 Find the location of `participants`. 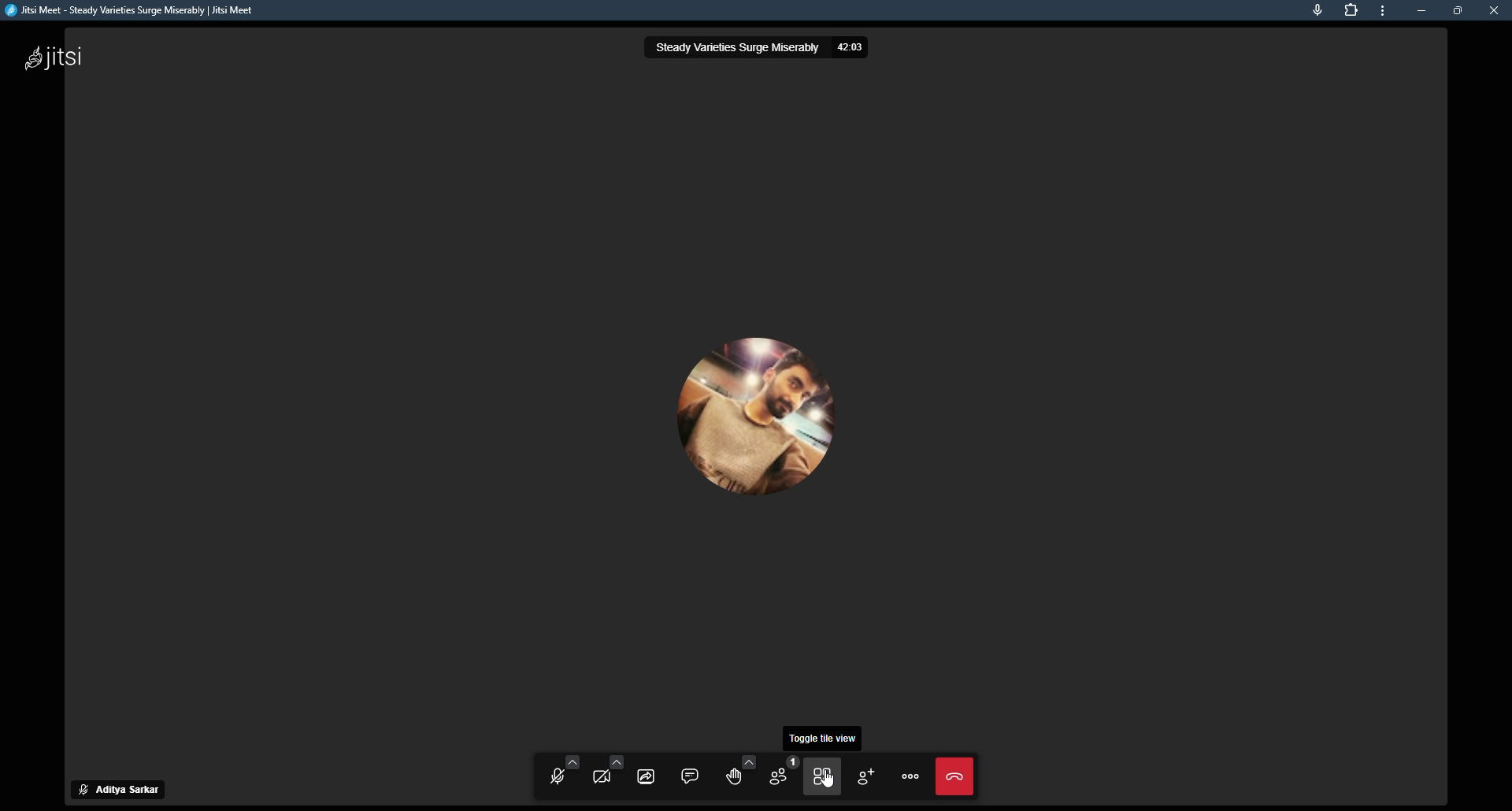

participants is located at coordinates (782, 775).